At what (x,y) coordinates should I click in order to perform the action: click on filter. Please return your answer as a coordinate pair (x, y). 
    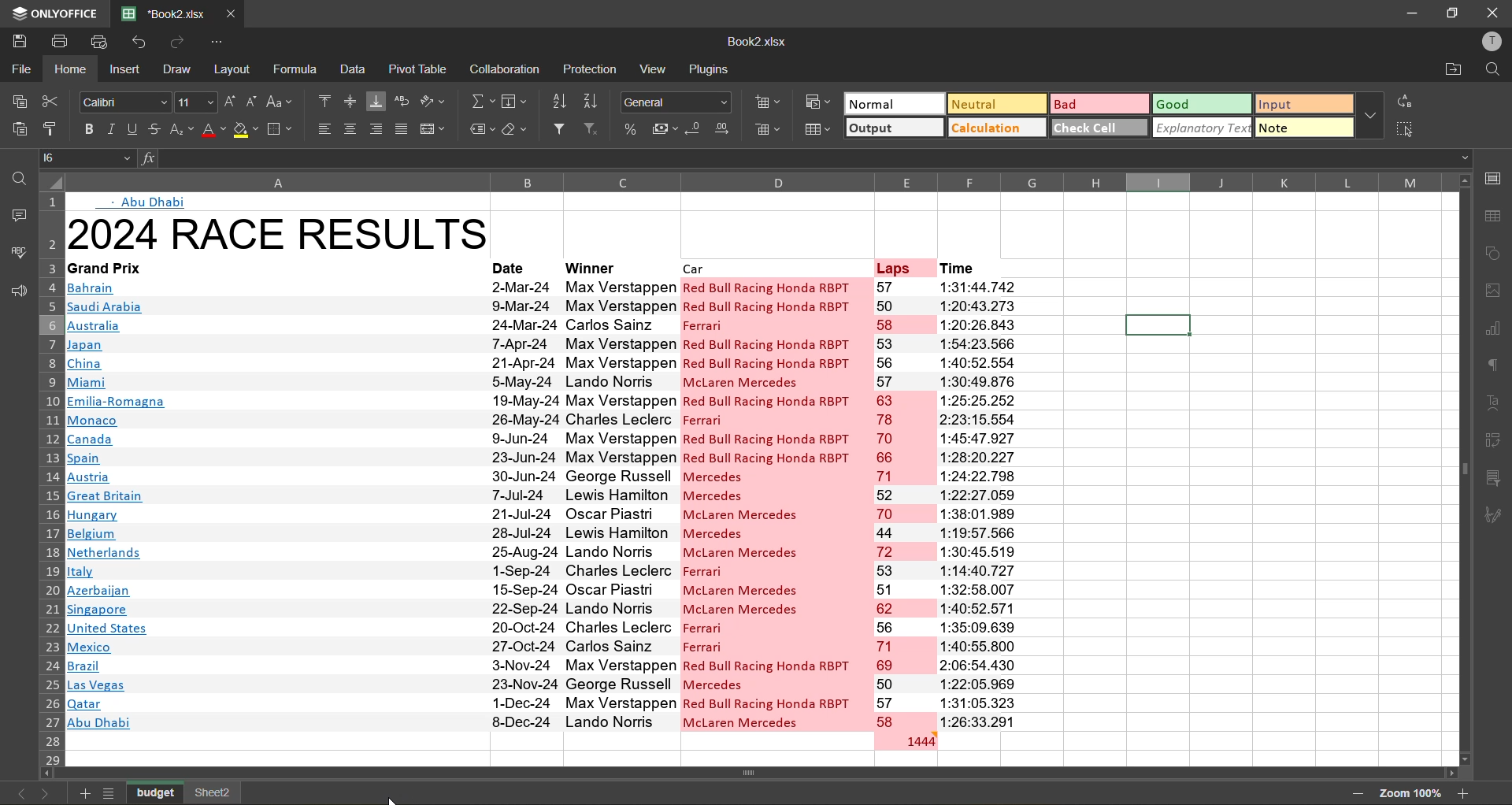
    Looking at the image, I should click on (561, 129).